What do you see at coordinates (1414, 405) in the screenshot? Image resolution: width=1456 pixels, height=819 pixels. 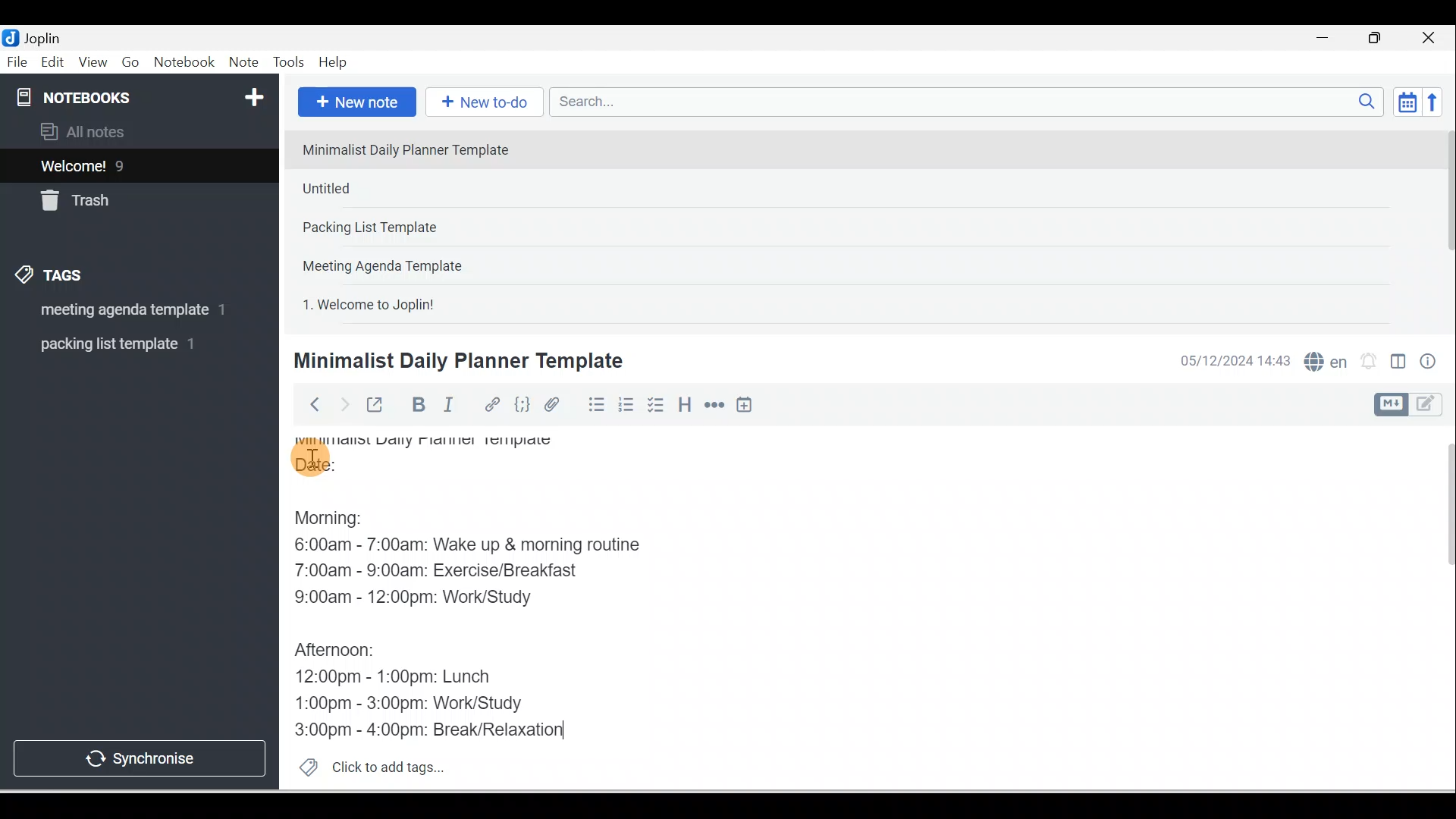 I see `Toggle editor layout` at bounding box center [1414, 405].